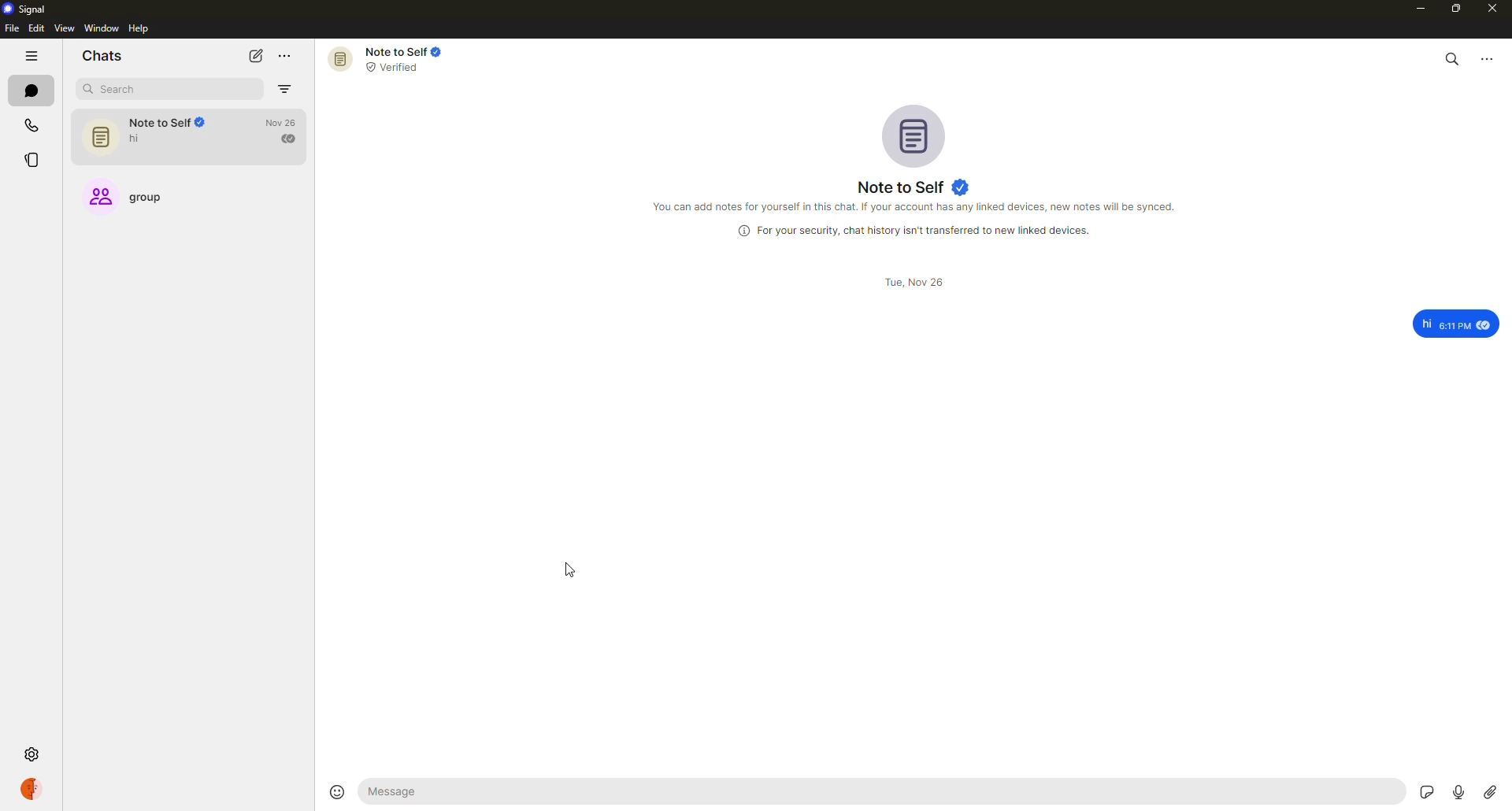 The image size is (1512, 811). I want to click on minimize, so click(1416, 9).